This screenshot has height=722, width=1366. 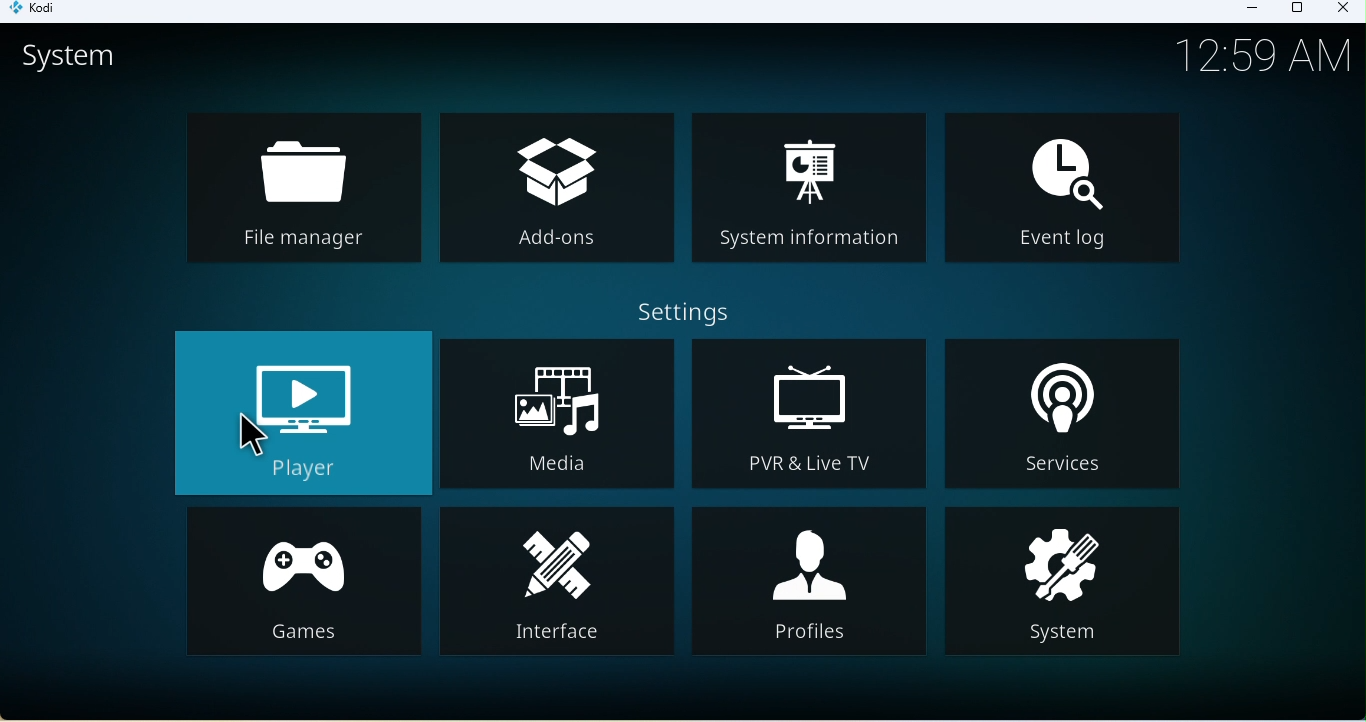 What do you see at coordinates (303, 413) in the screenshot?
I see `Player` at bounding box center [303, 413].